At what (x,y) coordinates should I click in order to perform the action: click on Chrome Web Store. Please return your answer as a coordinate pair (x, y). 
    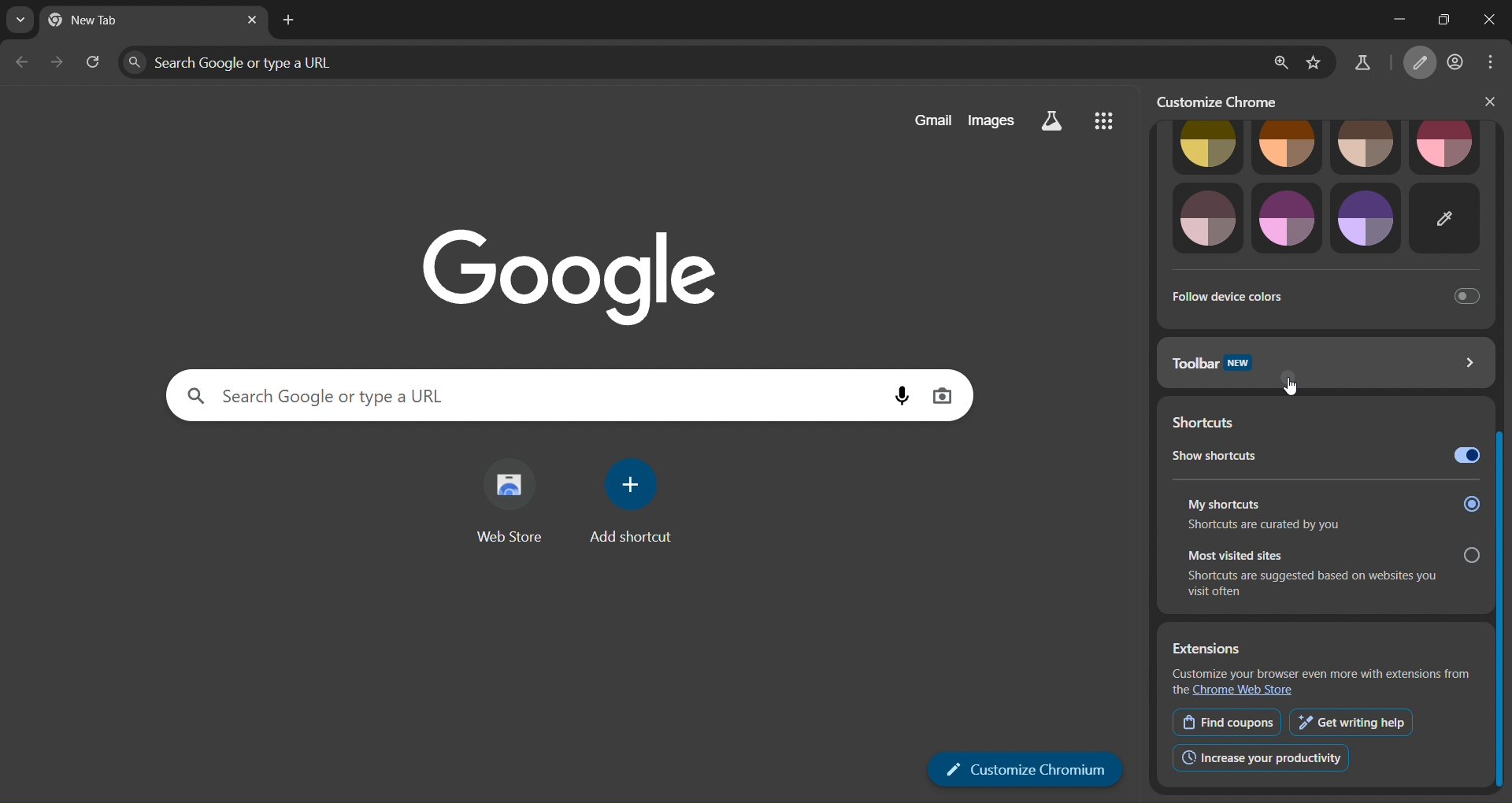
    Looking at the image, I should click on (1247, 690).